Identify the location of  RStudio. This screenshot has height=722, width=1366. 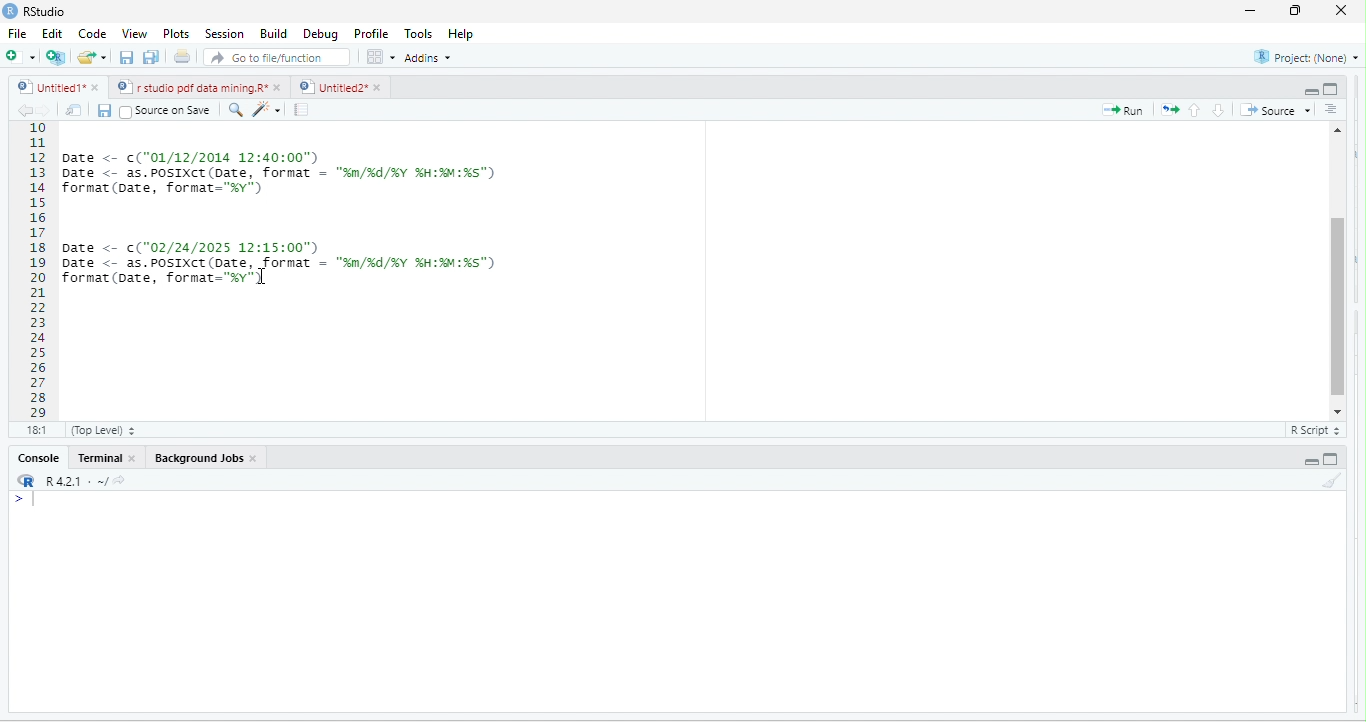
(43, 12).